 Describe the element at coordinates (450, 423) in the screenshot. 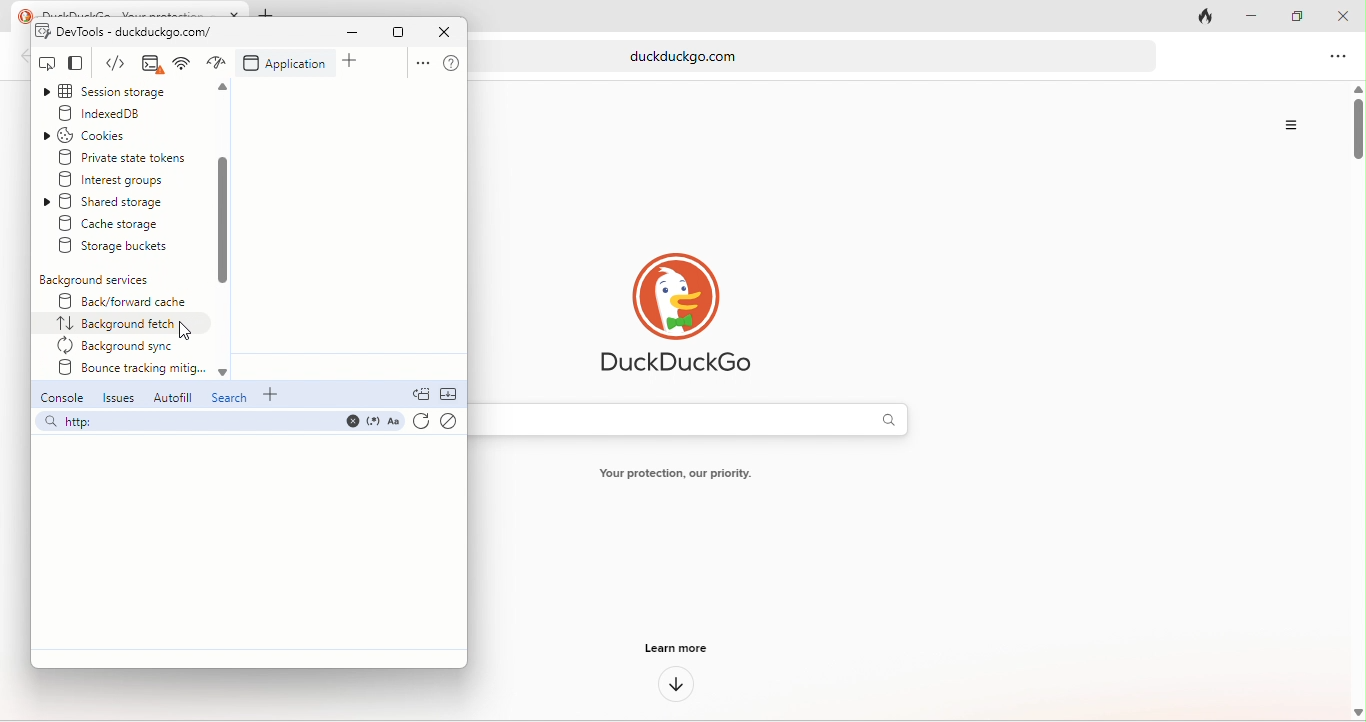

I see `clear` at that location.